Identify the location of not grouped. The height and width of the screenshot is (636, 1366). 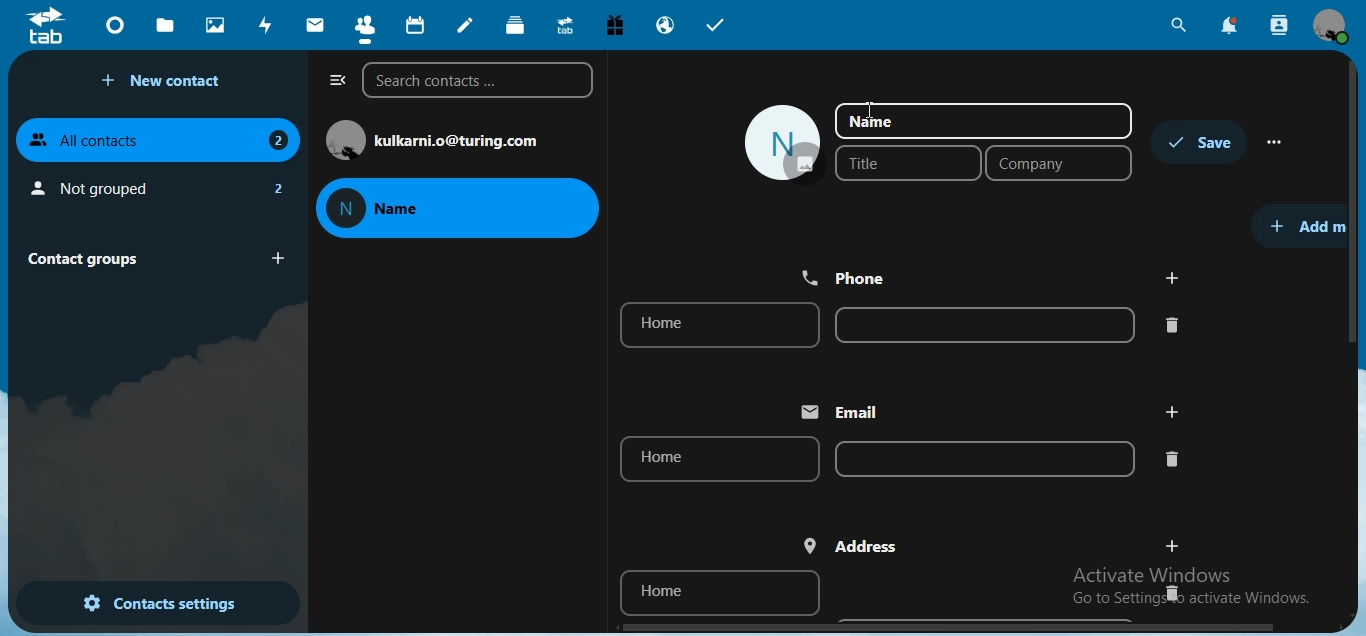
(156, 185).